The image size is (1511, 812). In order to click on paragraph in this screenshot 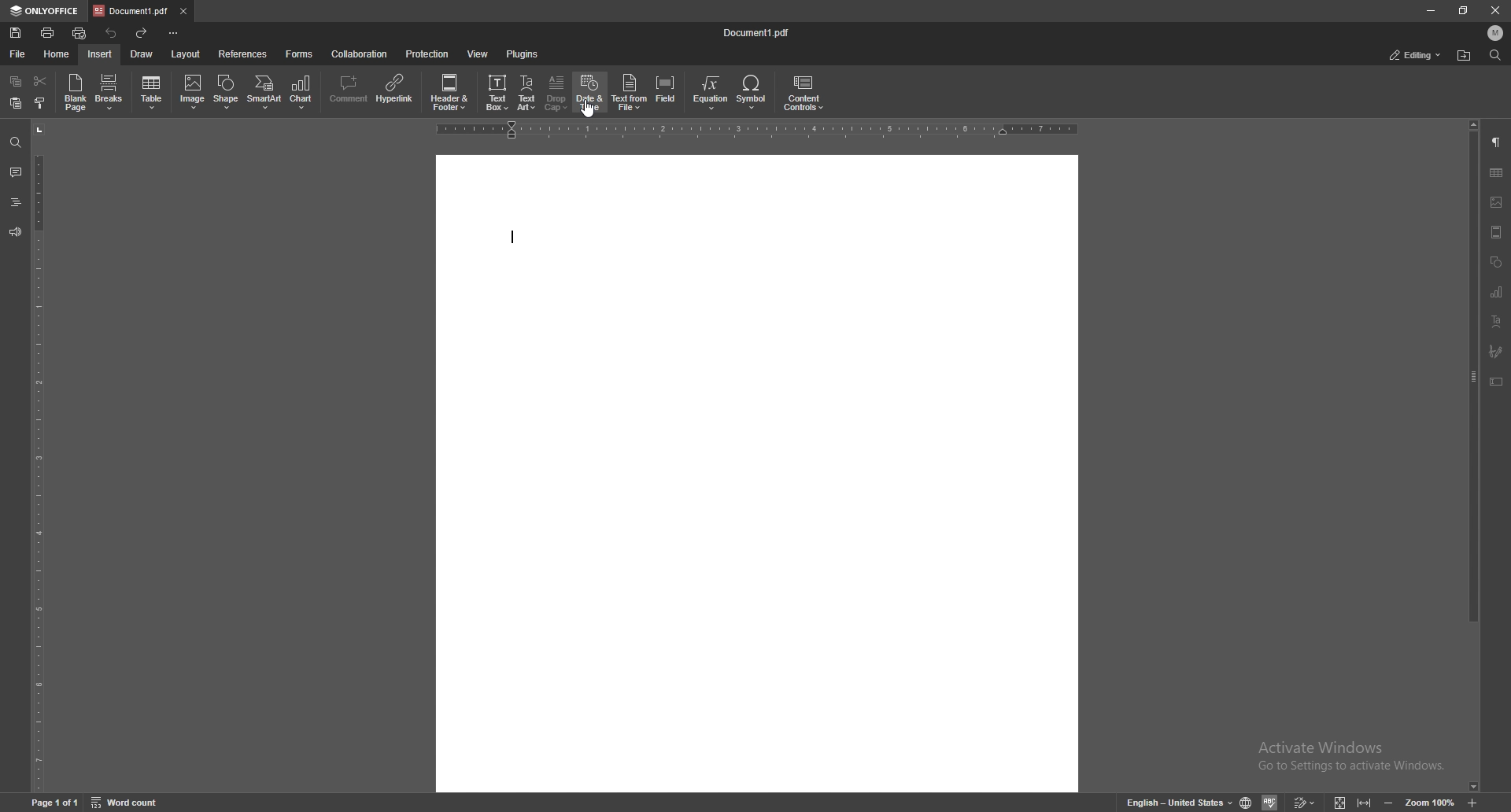, I will do `click(1497, 144)`.